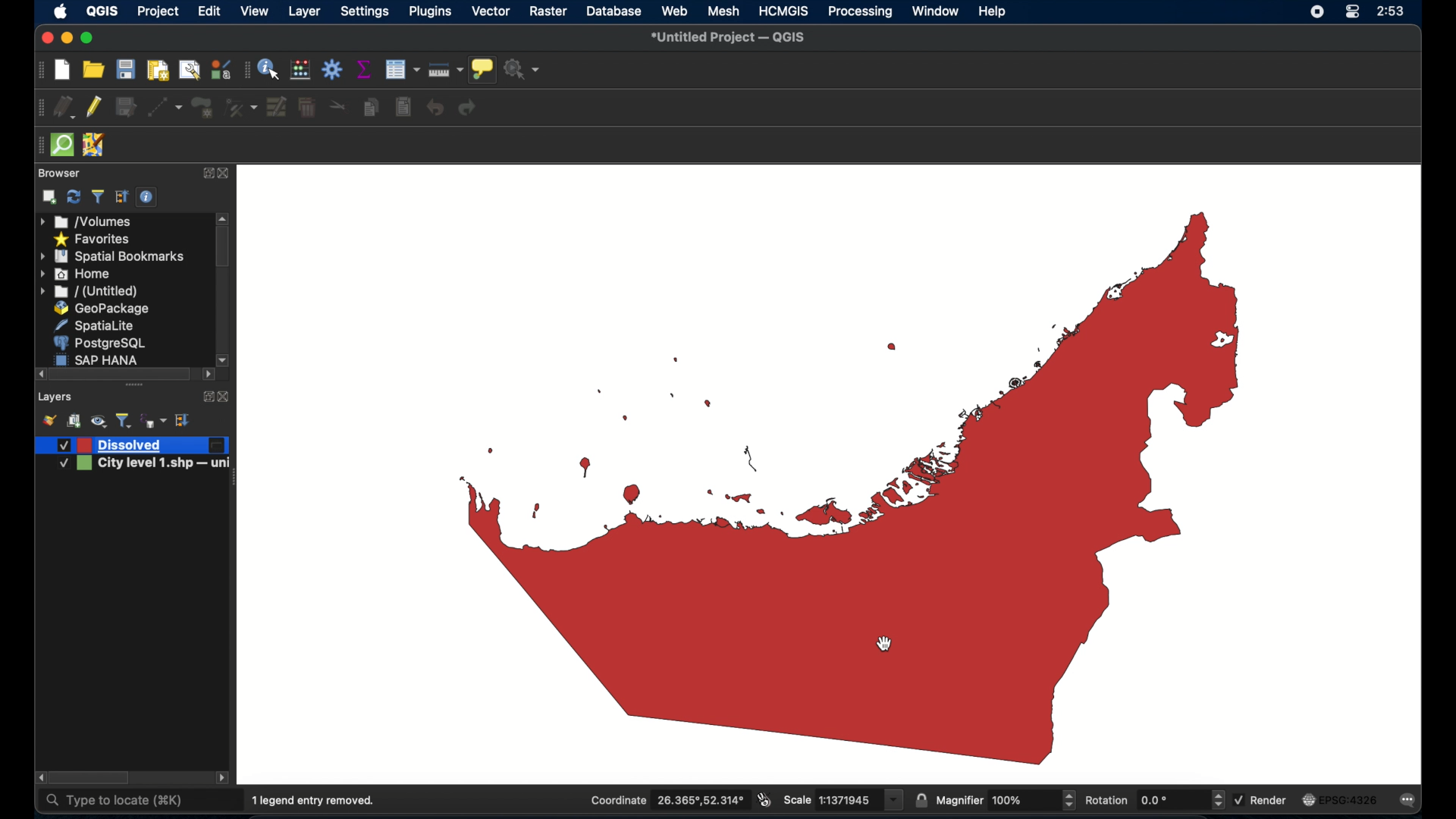 This screenshot has width=1456, height=819. Describe the element at coordinates (239, 107) in the screenshot. I see `vertes tool` at that location.